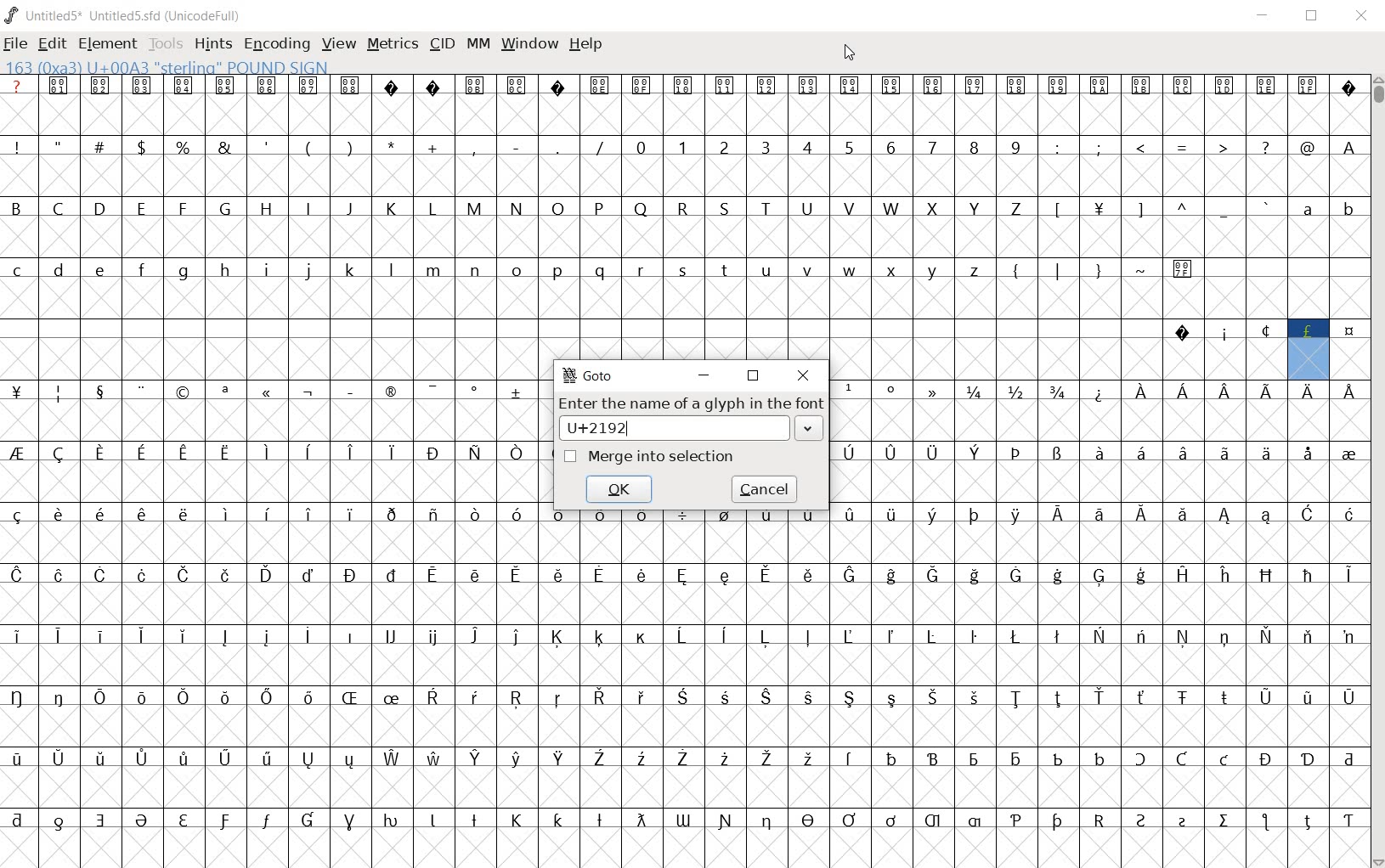 Image resolution: width=1385 pixels, height=868 pixels. What do you see at coordinates (109, 43) in the screenshot?
I see `ELEMENT` at bounding box center [109, 43].